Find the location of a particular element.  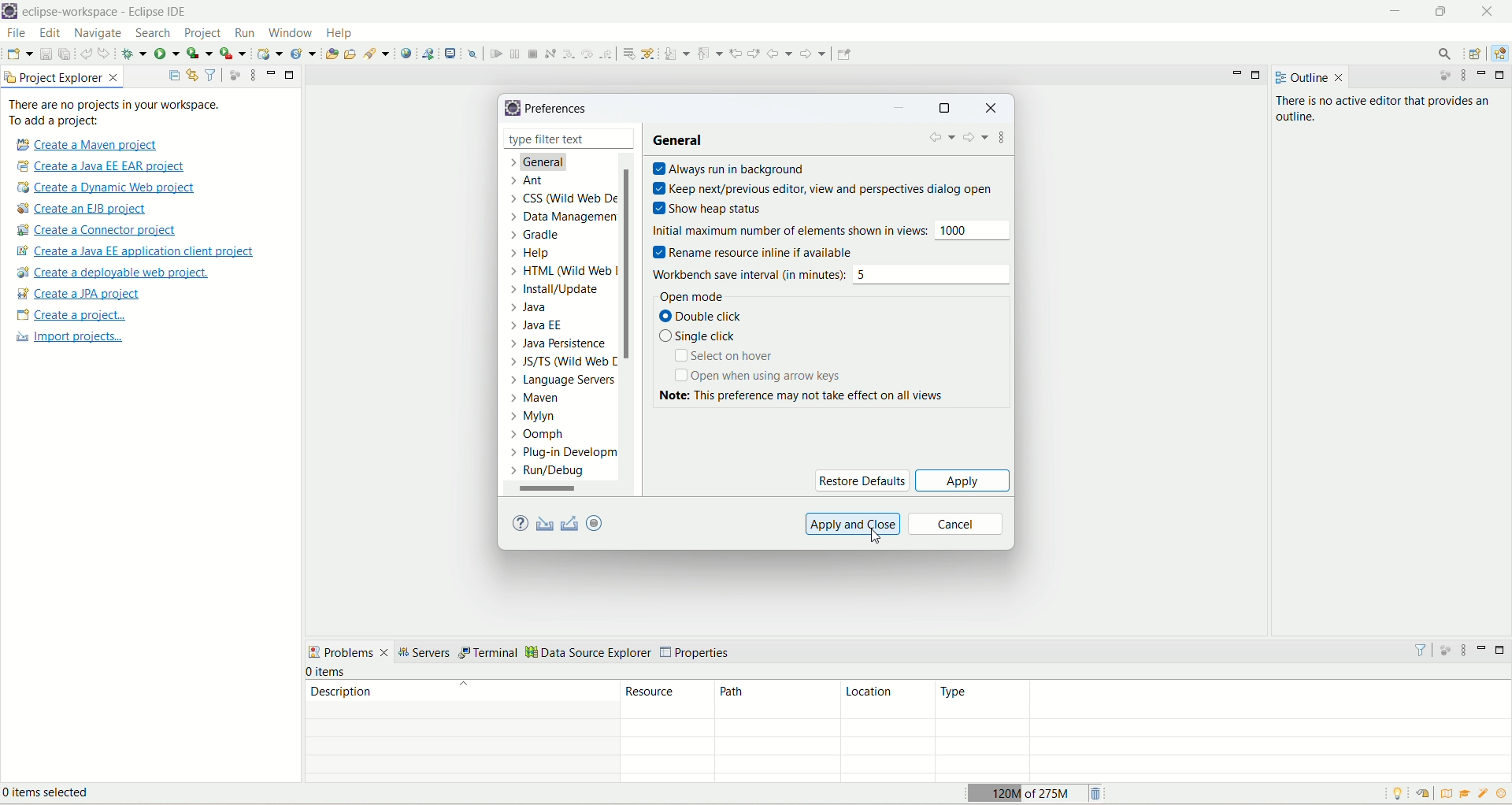

single click is located at coordinates (700, 337).